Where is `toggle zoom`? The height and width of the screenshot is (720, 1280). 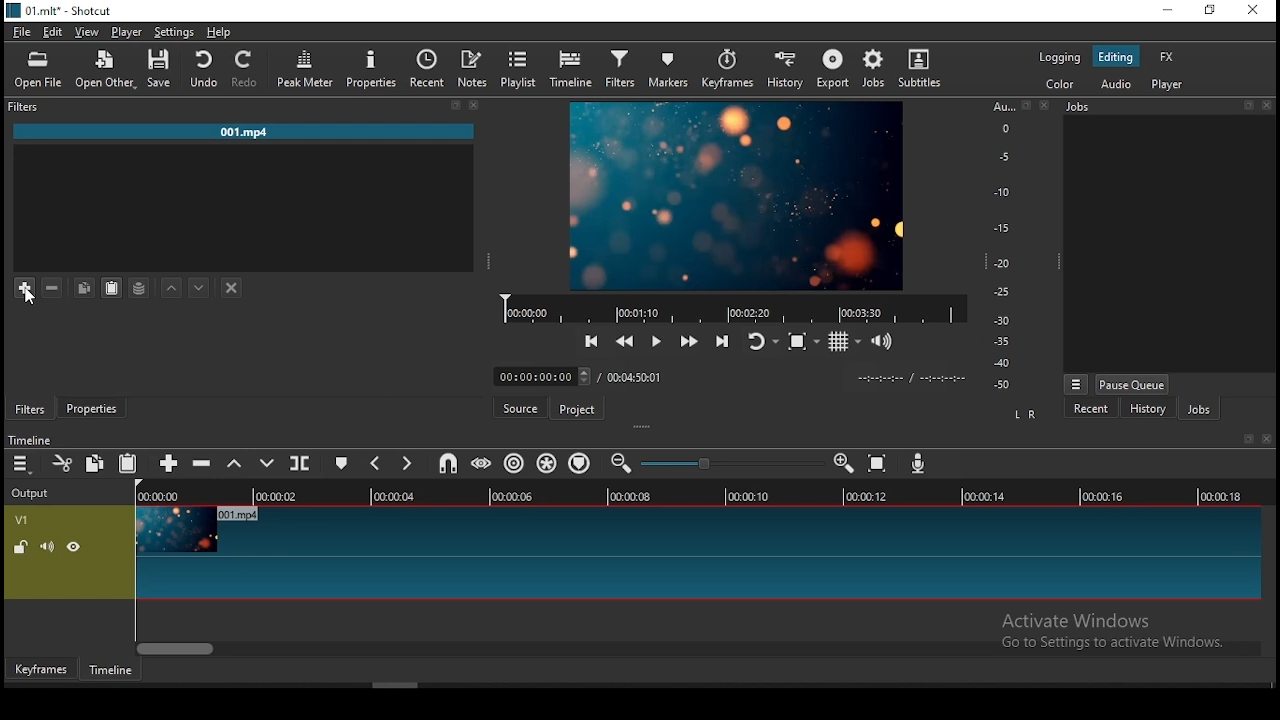
toggle zoom is located at coordinates (799, 342).